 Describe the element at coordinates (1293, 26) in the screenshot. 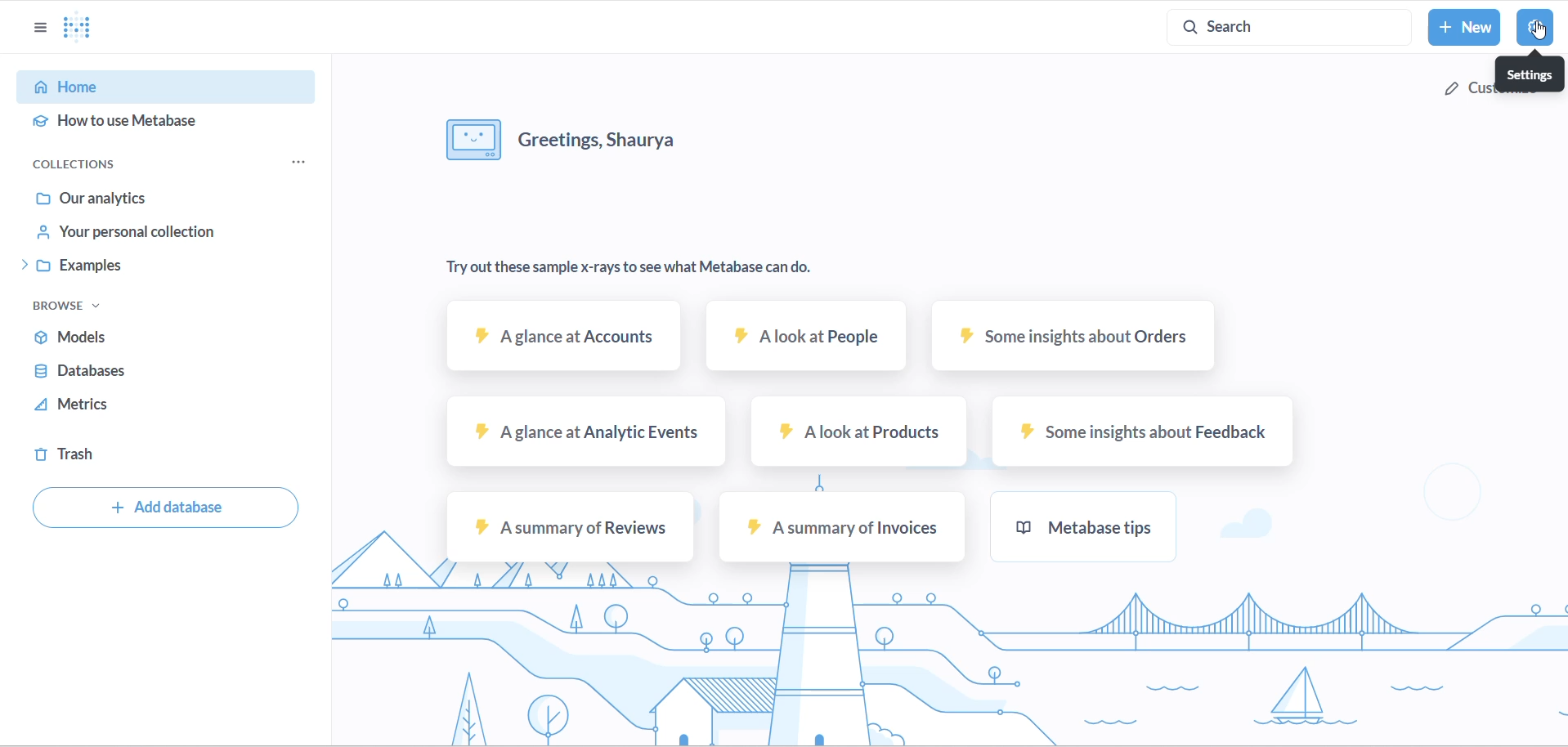

I see `search button` at that location.